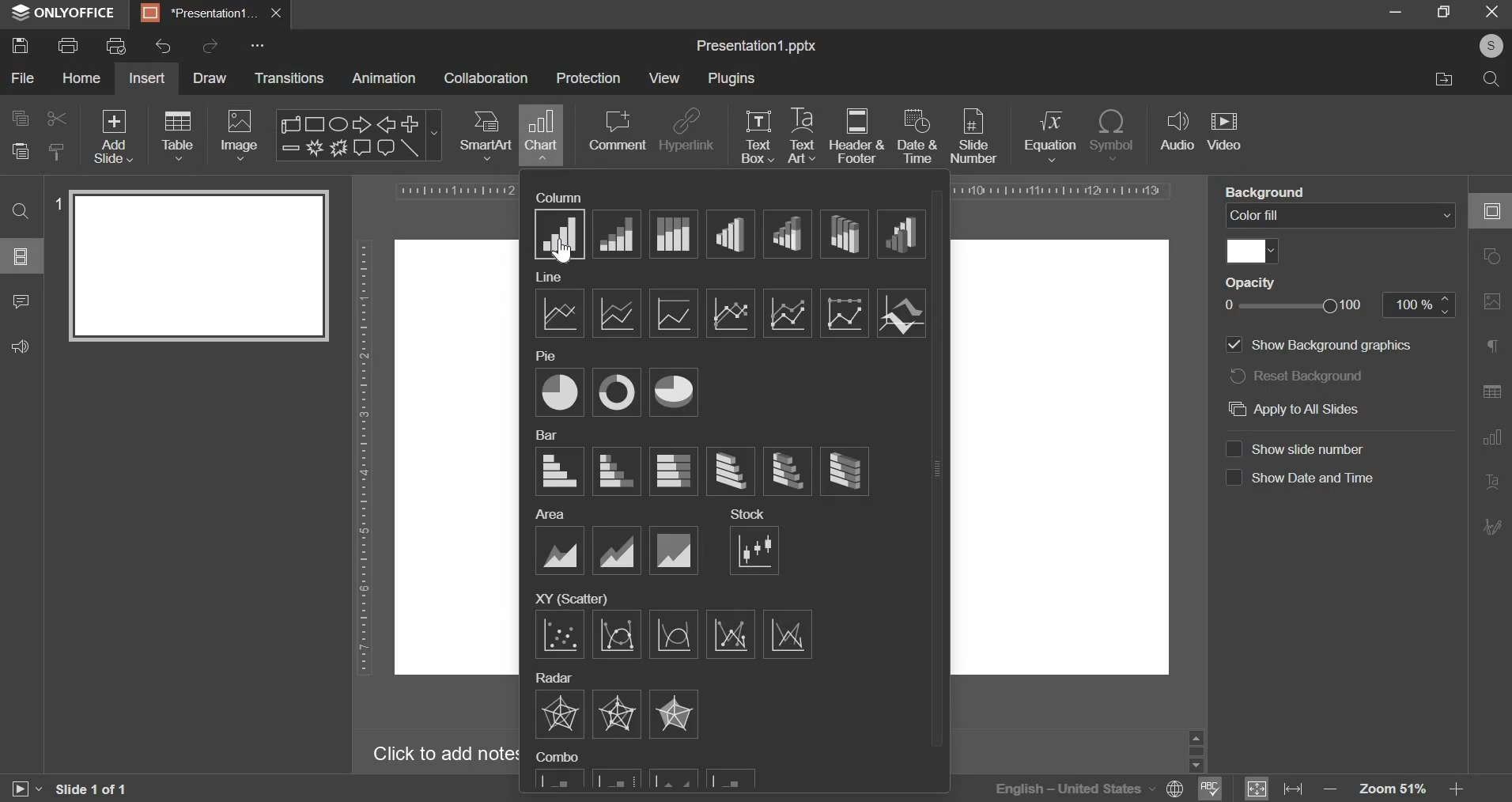 The width and height of the screenshot is (1512, 802). Describe the element at coordinates (749, 513) in the screenshot. I see `stock` at that location.